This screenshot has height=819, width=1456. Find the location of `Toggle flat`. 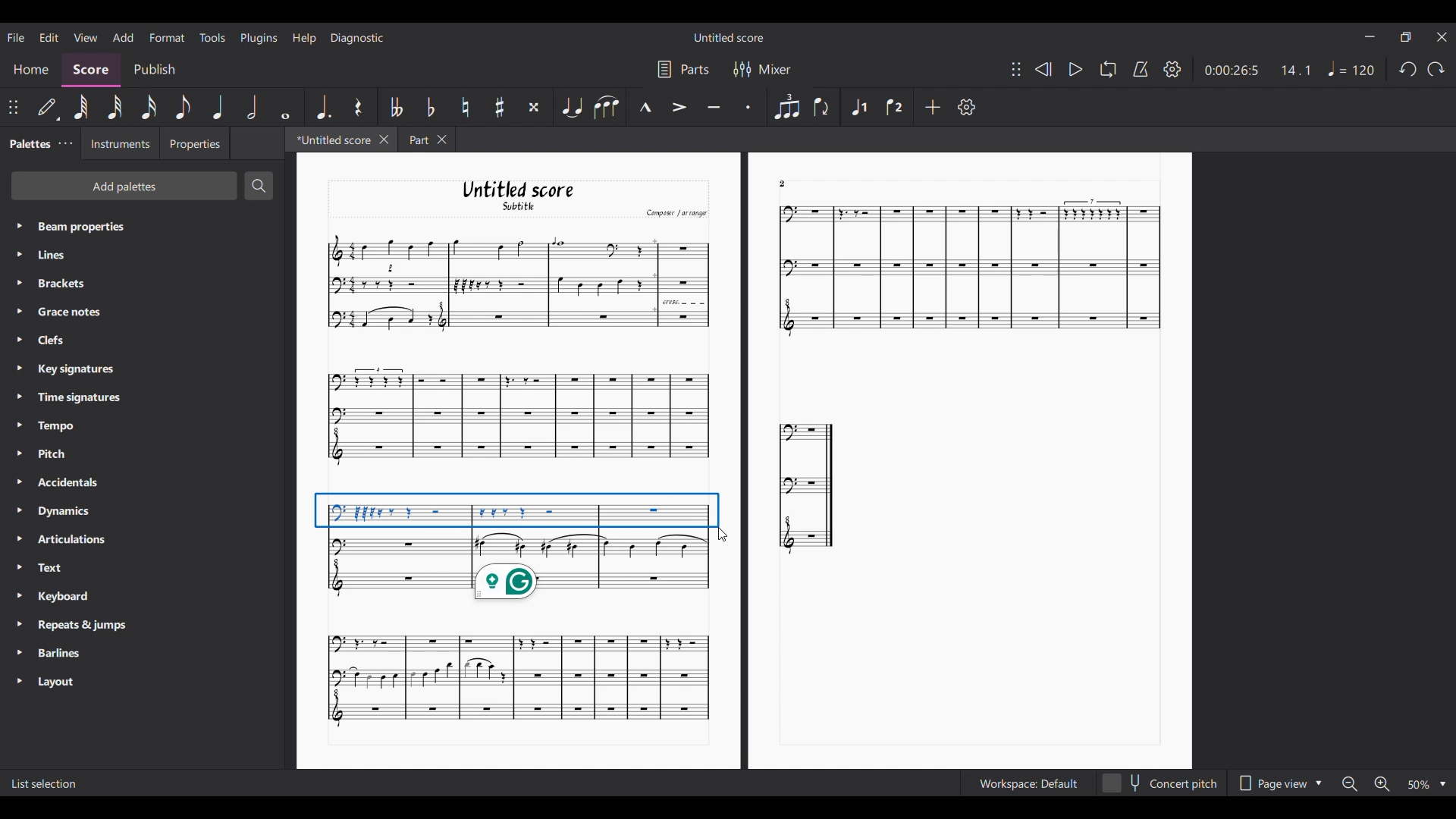

Toggle flat is located at coordinates (430, 106).